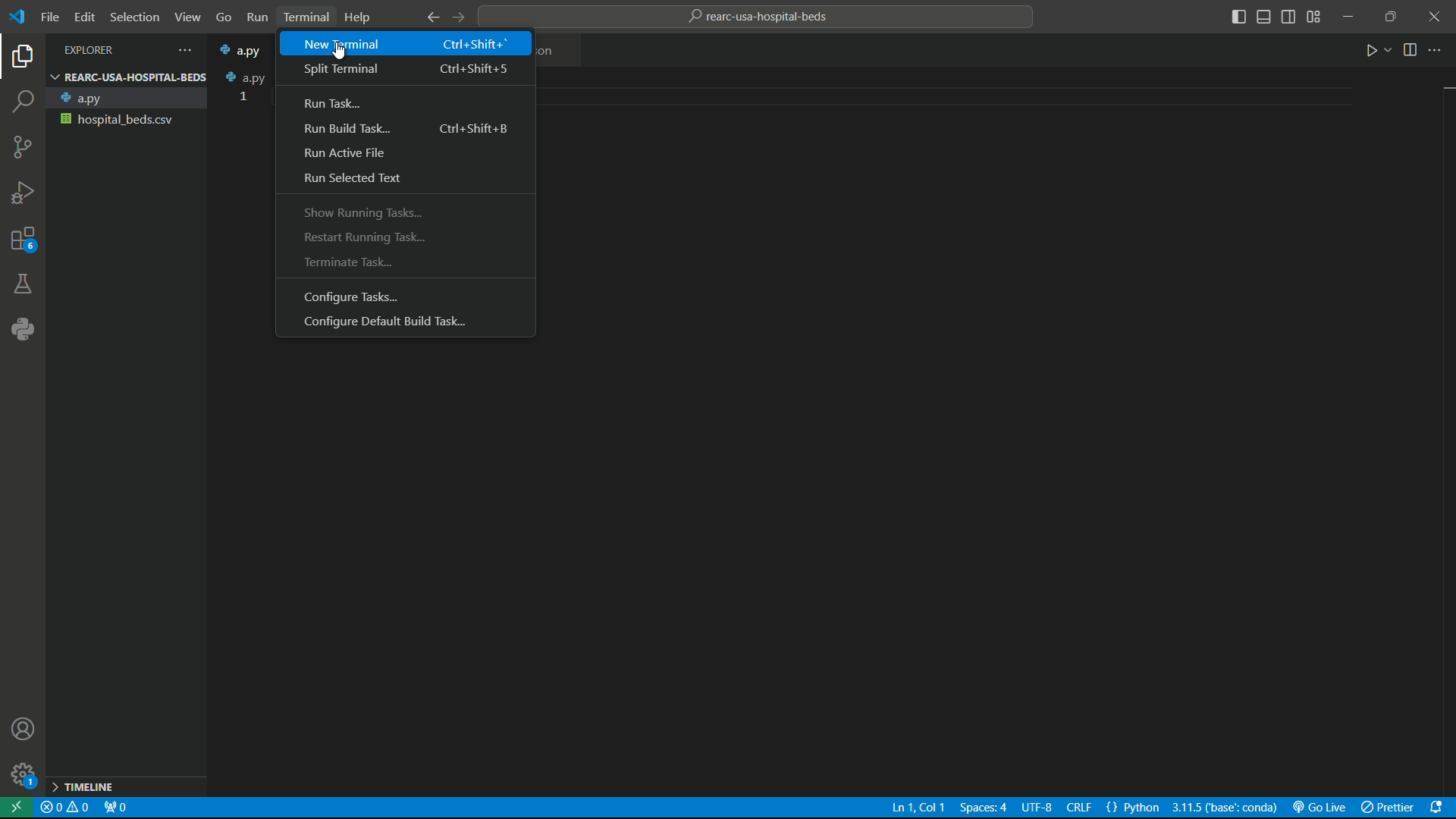 The width and height of the screenshot is (1456, 819). Describe the element at coordinates (256, 15) in the screenshot. I see `run menu` at that location.